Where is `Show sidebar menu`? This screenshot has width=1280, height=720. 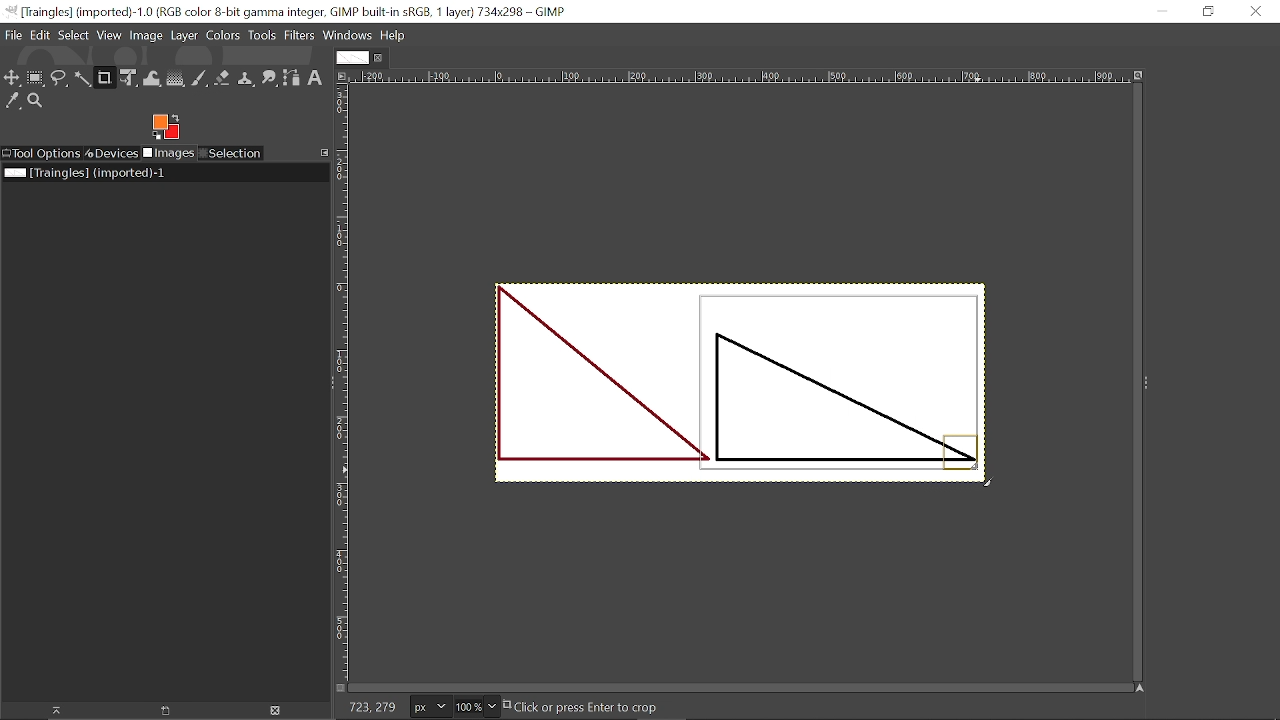 Show sidebar menu is located at coordinates (1147, 383).